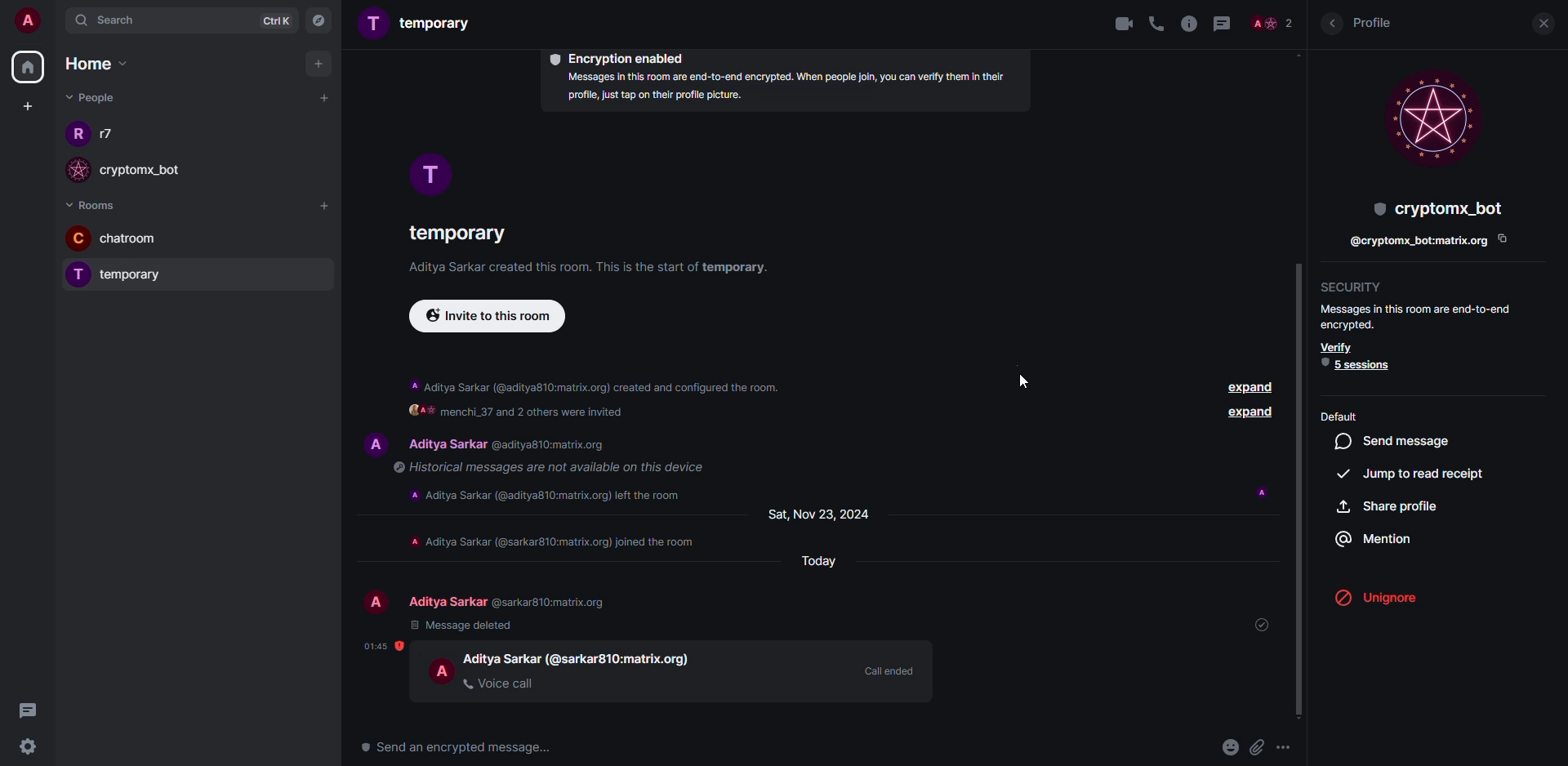 This screenshot has height=766, width=1568. Describe the element at coordinates (510, 602) in the screenshot. I see `people` at that location.